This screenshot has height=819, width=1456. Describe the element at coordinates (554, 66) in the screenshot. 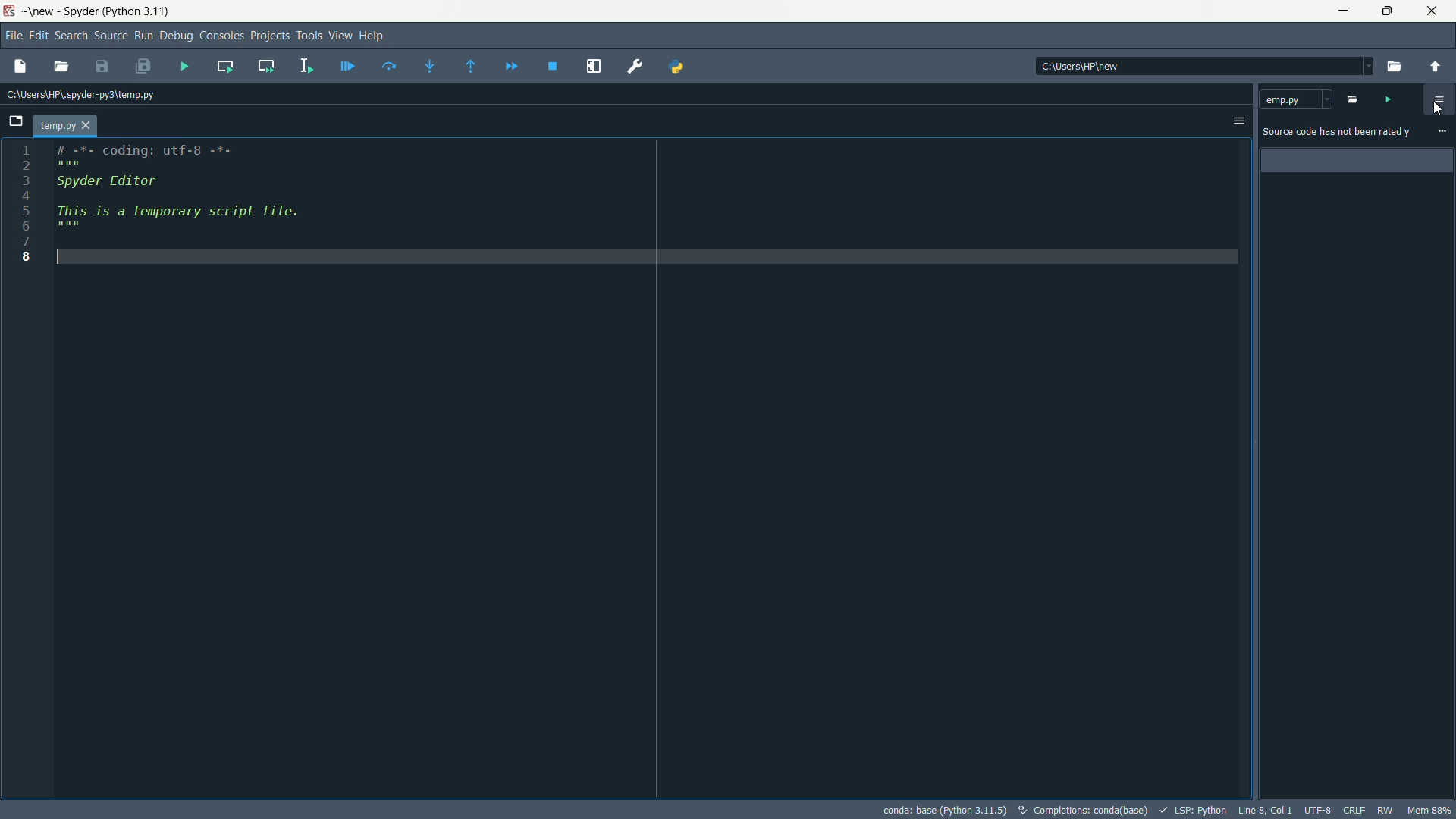

I see `stop debugging` at that location.